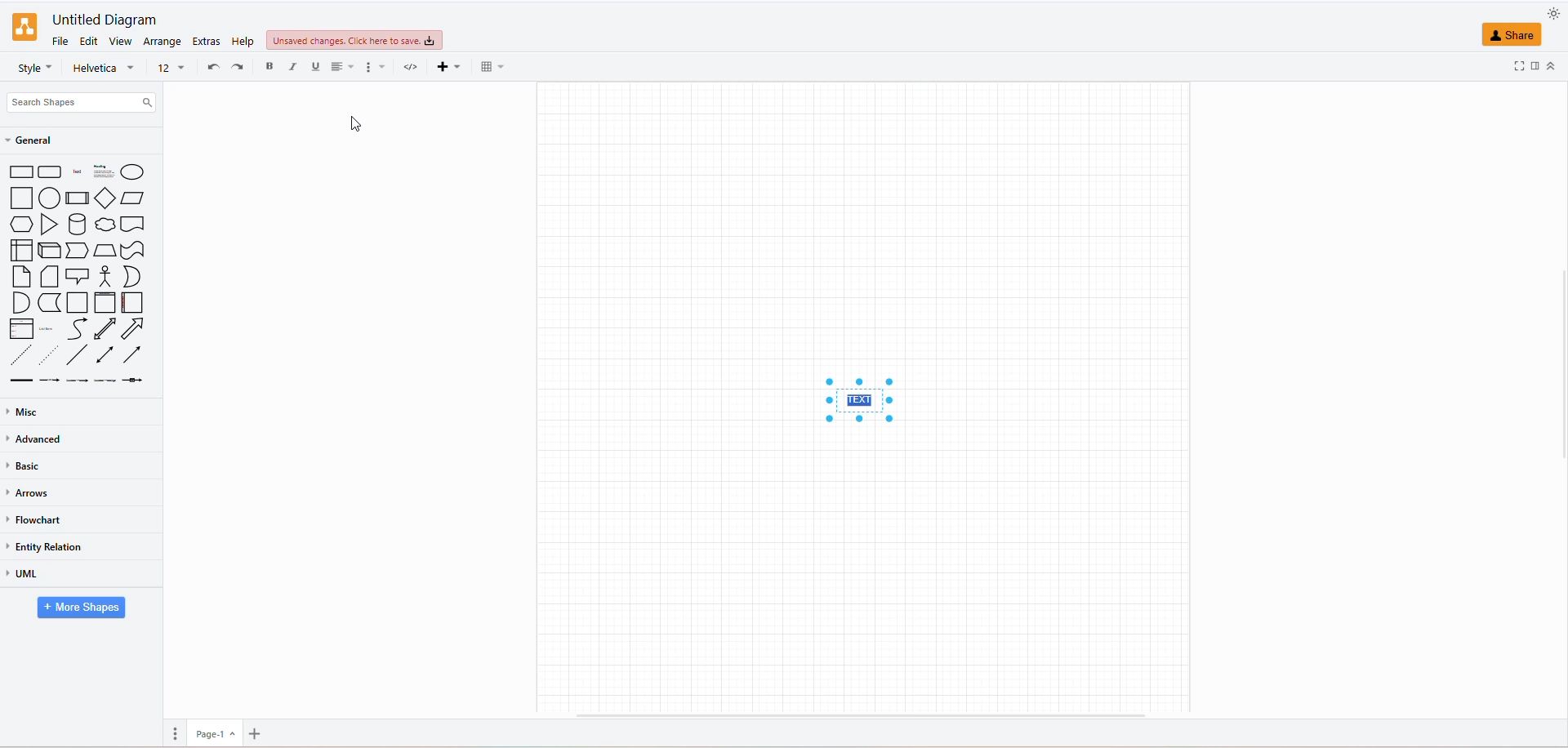 Image resolution: width=1568 pixels, height=748 pixels. I want to click on page 1, so click(213, 733).